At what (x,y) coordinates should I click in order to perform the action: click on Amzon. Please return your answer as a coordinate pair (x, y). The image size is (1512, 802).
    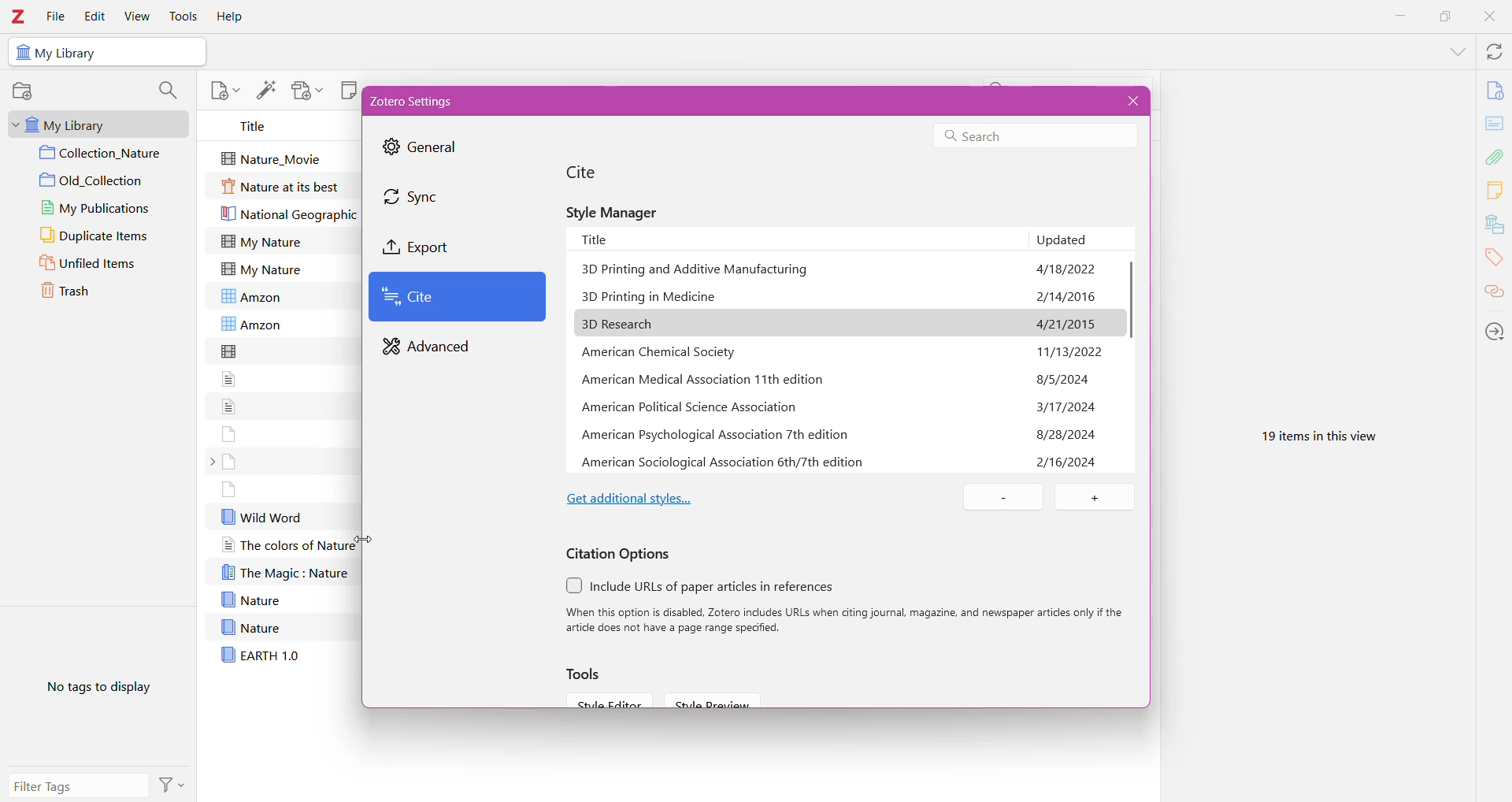
    Looking at the image, I should click on (258, 295).